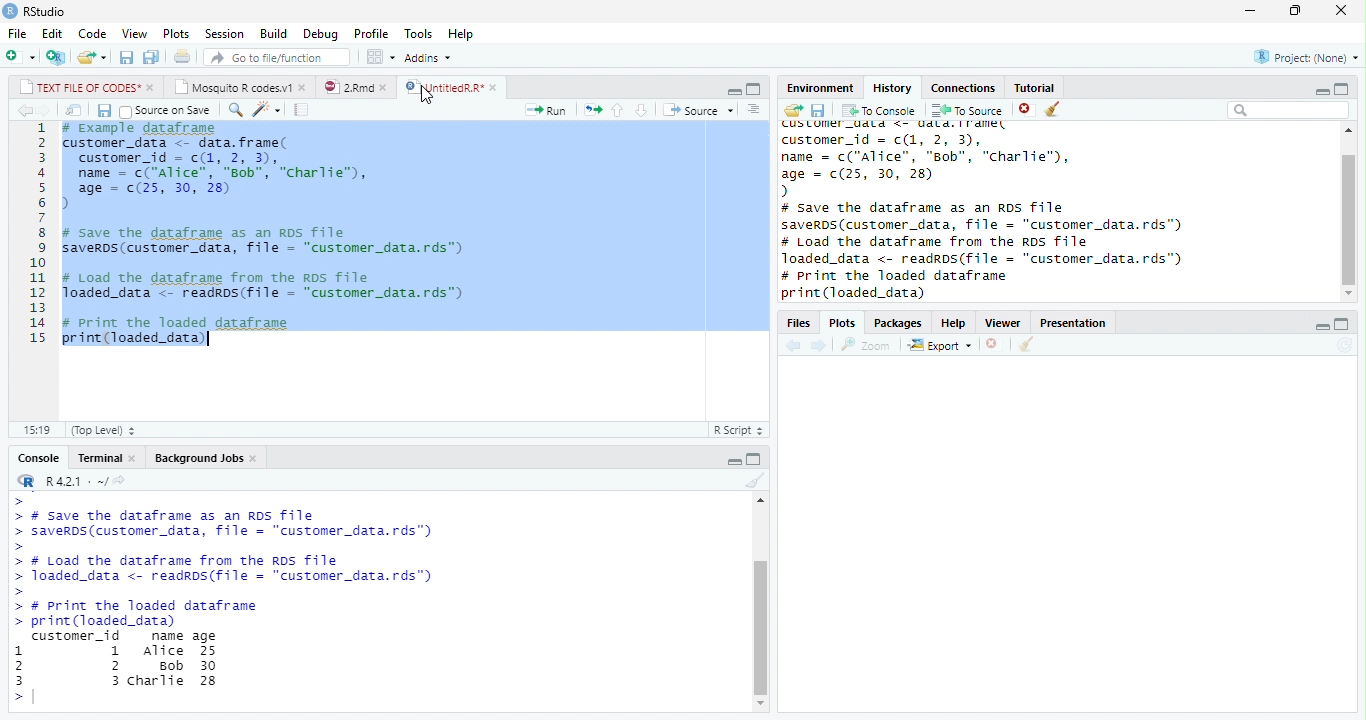 This screenshot has width=1366, height=720. What do you see at coordinates (26, 111) in the screenshot?
I see `back` at bounding box center [26, 111].